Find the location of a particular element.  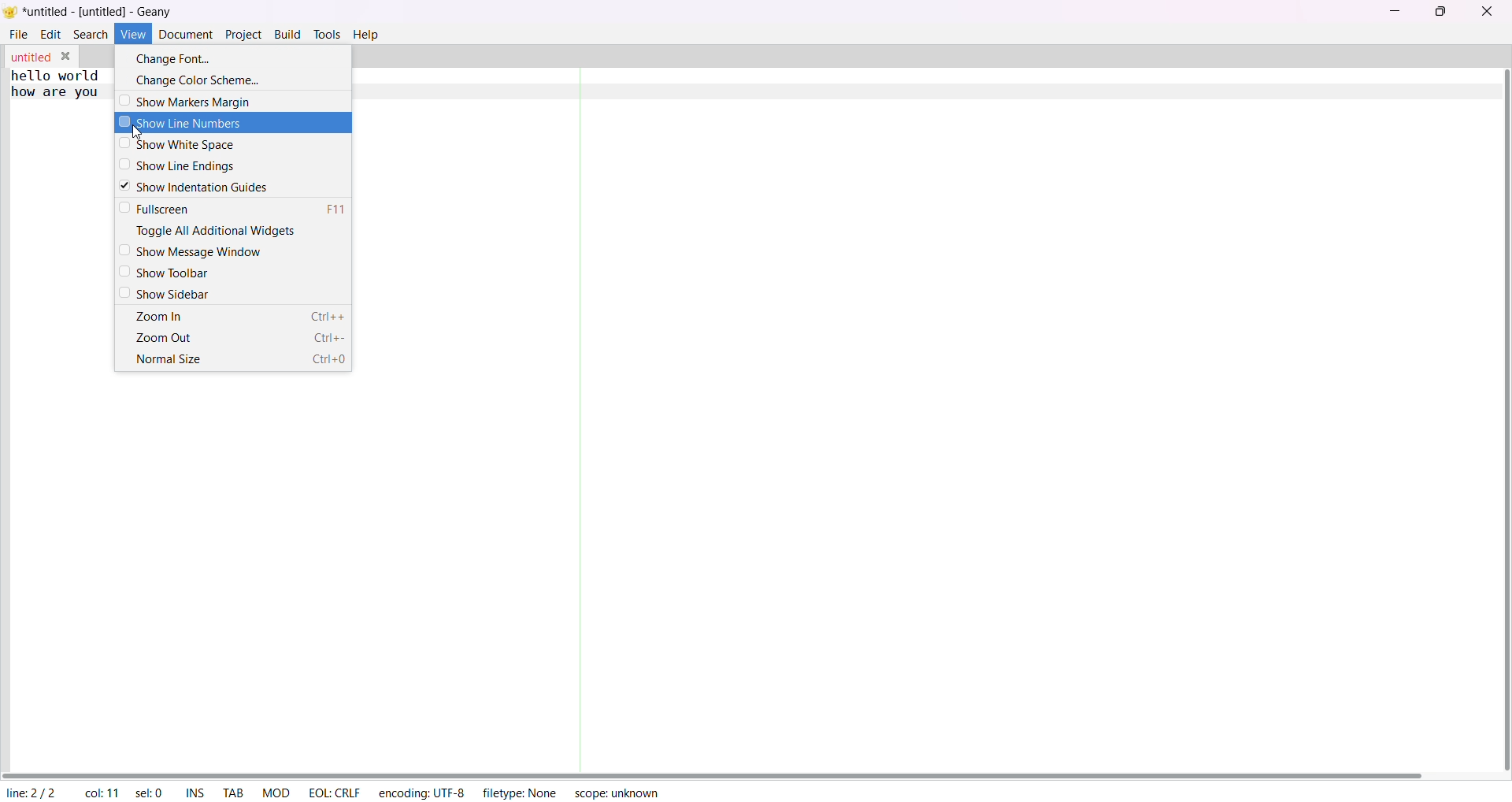

show white space is located at coordinates (176, 147).